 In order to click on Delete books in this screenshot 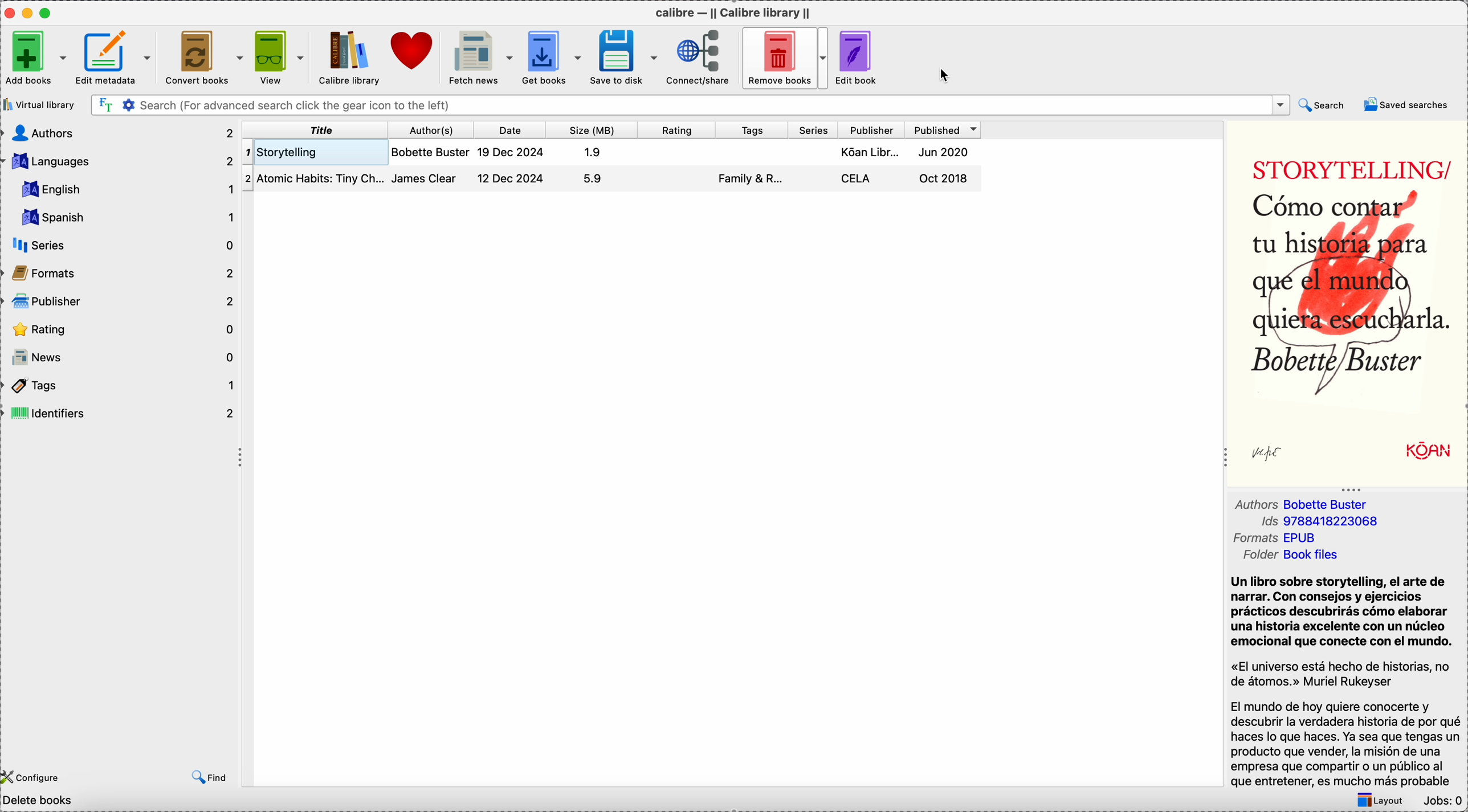, I will do `click(39, 802)`.